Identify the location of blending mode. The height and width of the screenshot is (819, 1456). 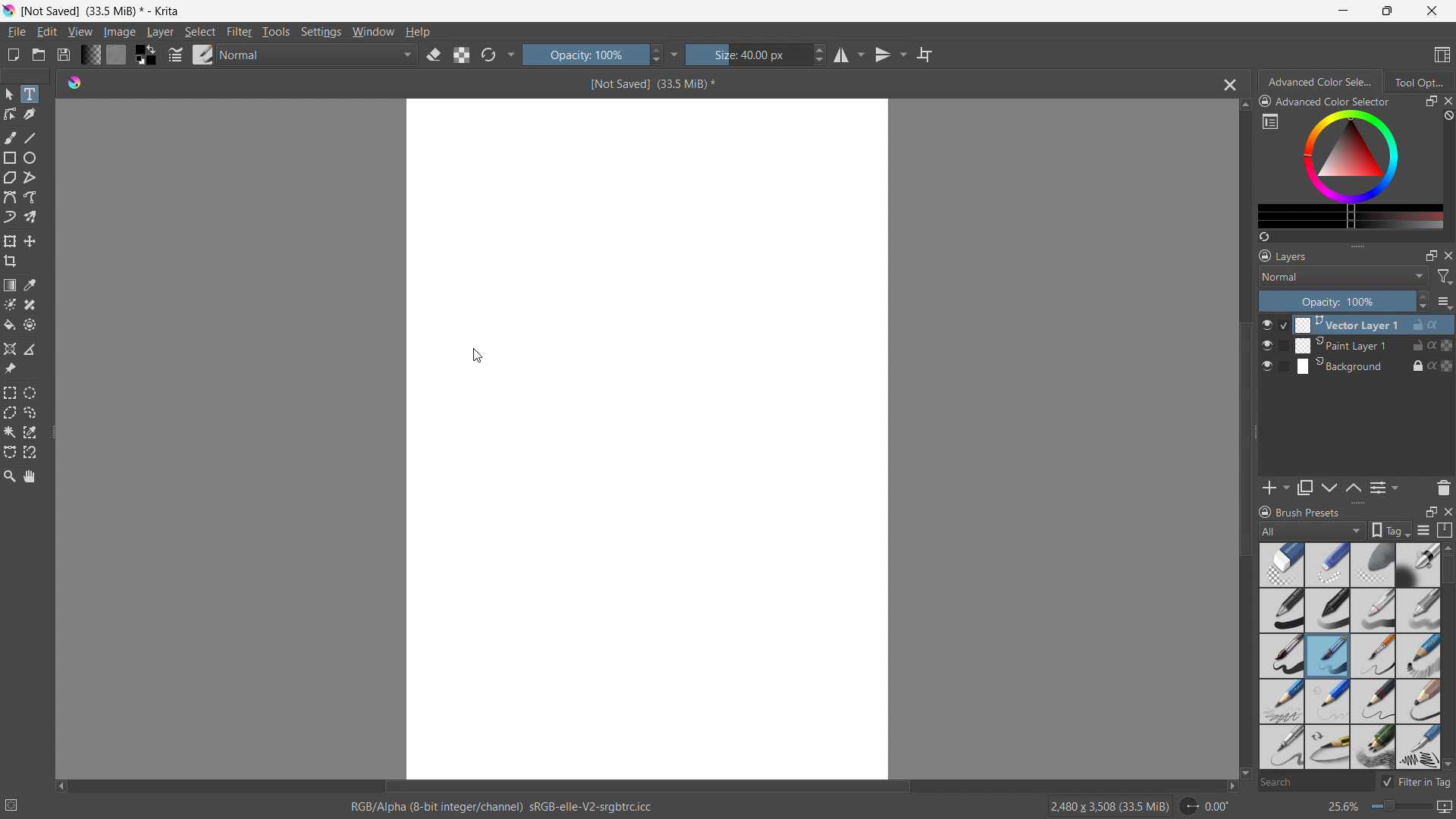
(318, 55).